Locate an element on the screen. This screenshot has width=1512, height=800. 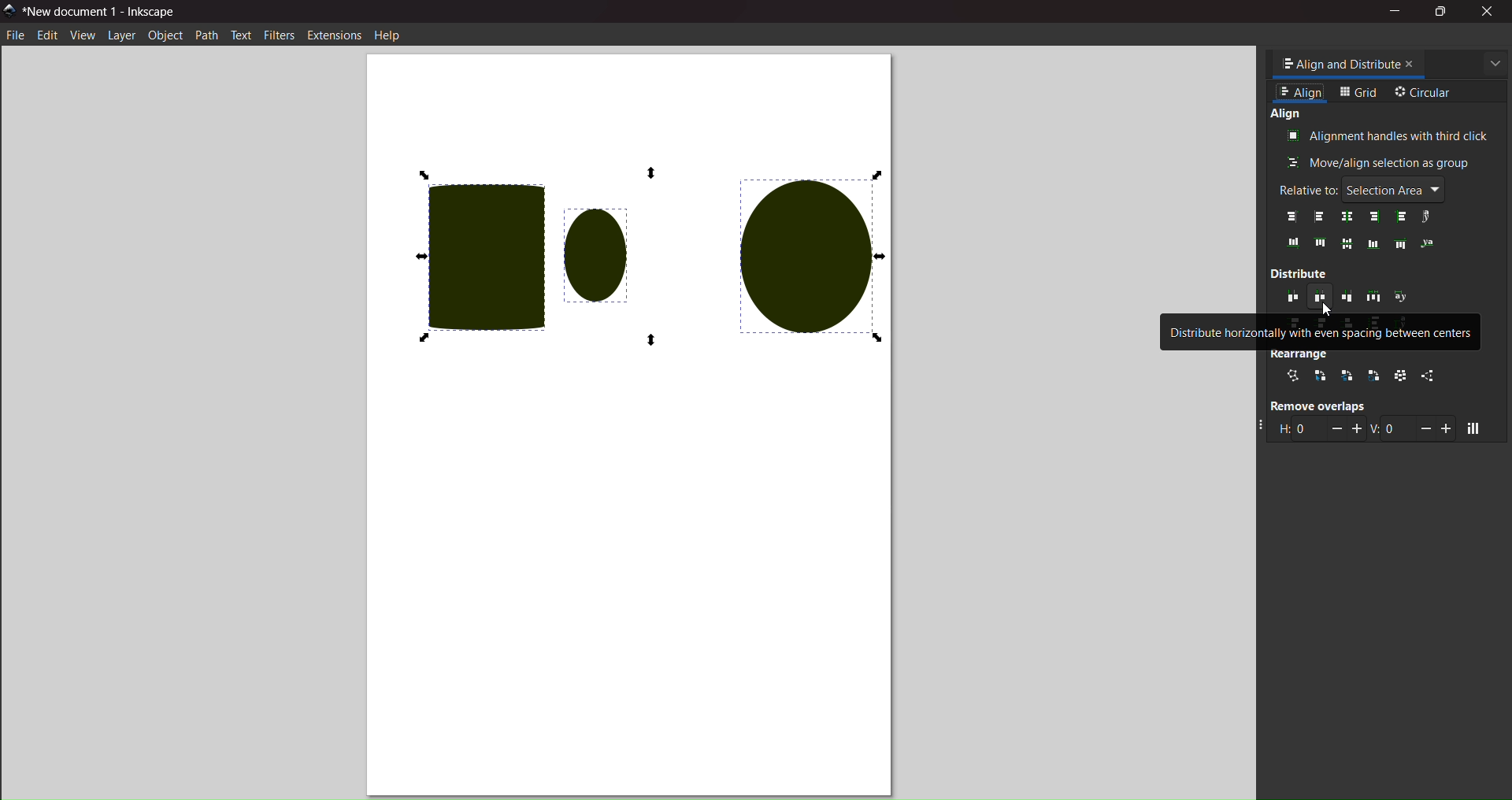
help is located at coordinates (387, 36).